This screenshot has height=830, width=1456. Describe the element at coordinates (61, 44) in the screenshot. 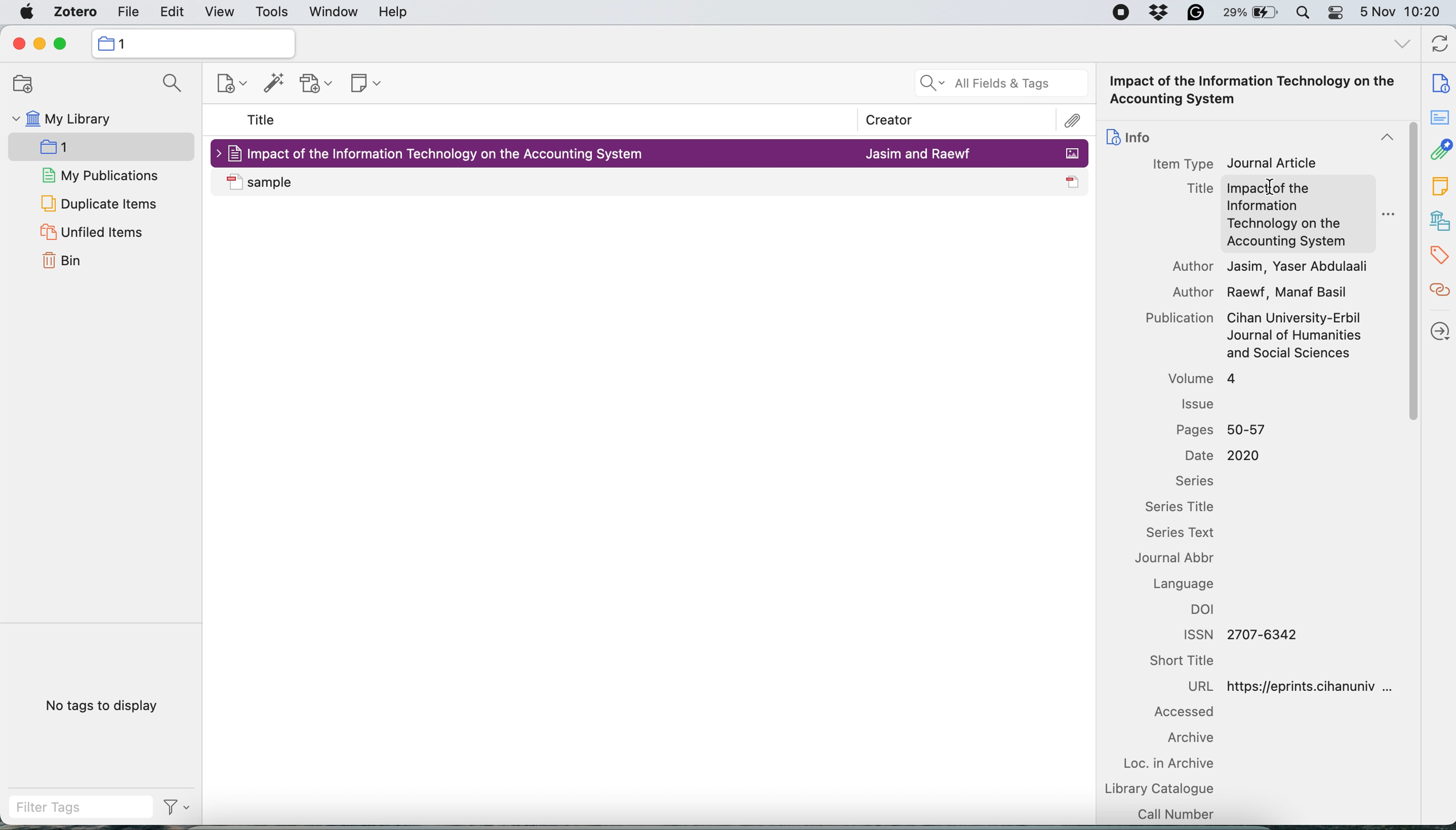

I see `maximise` at that location.